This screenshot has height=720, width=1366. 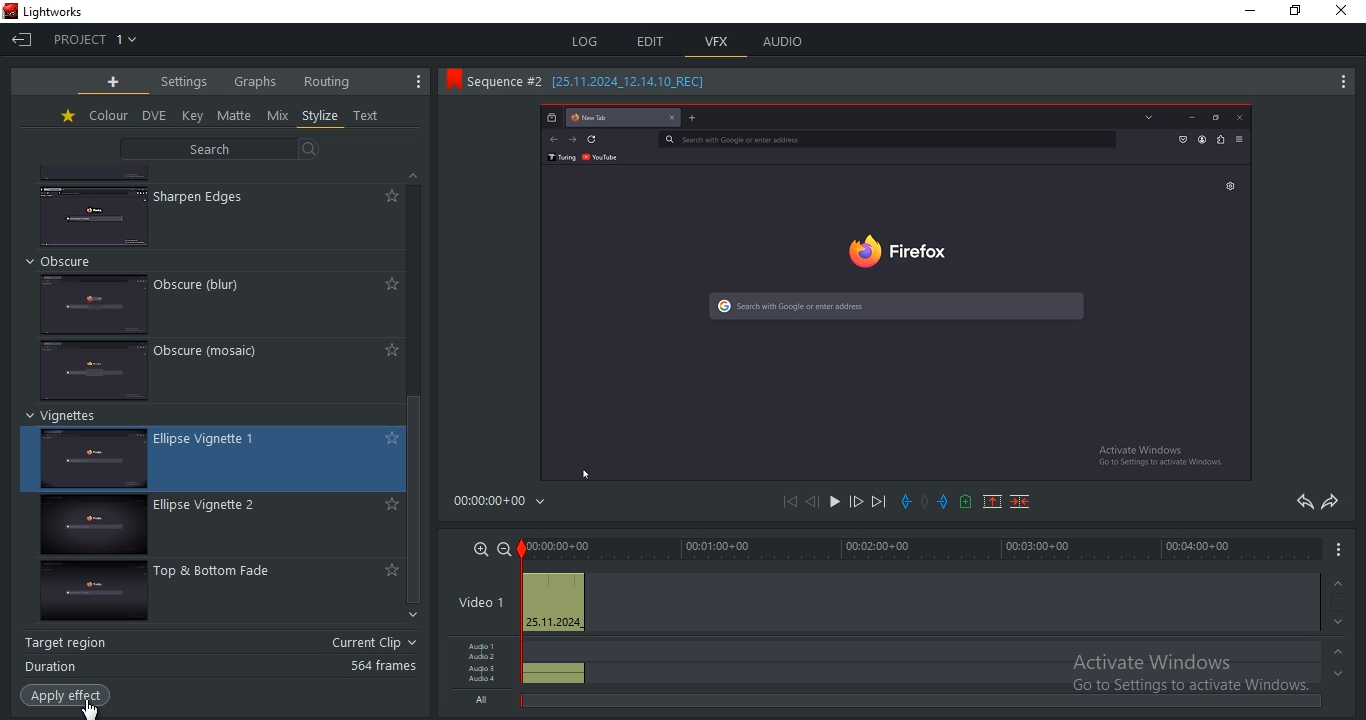 I want to click on Sequence information, so click(x=596, y=83).